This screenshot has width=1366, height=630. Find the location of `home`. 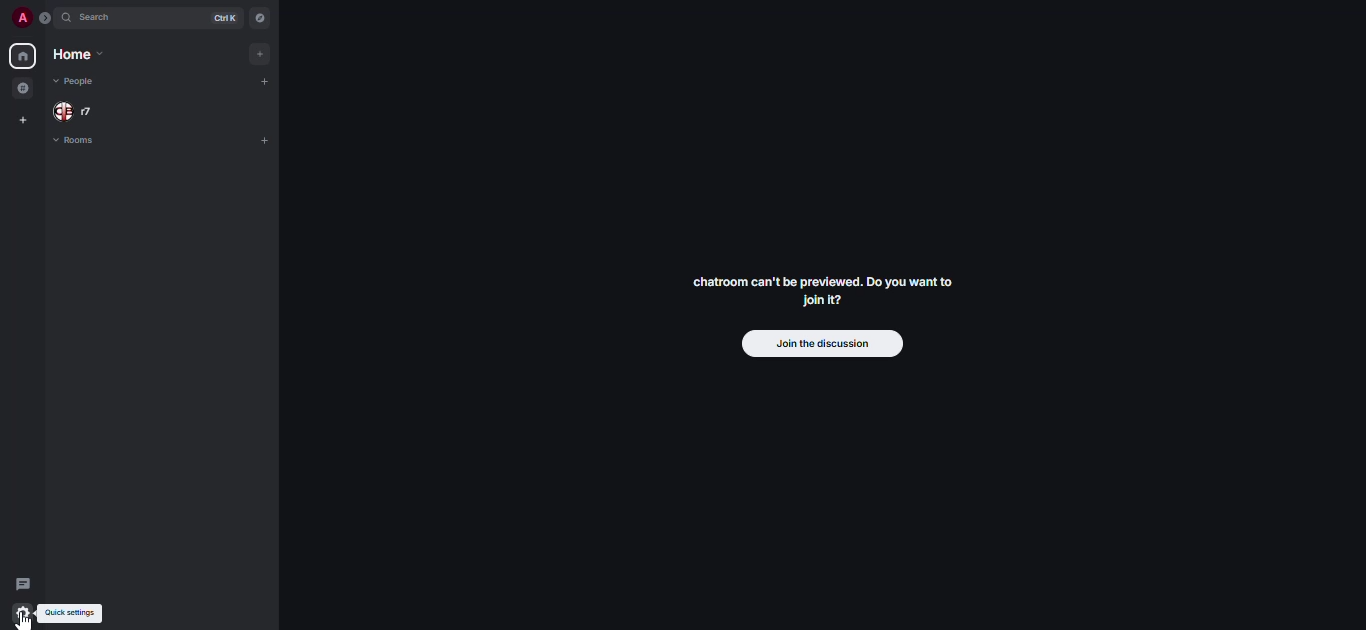

home is located at coordinates (77, 55).